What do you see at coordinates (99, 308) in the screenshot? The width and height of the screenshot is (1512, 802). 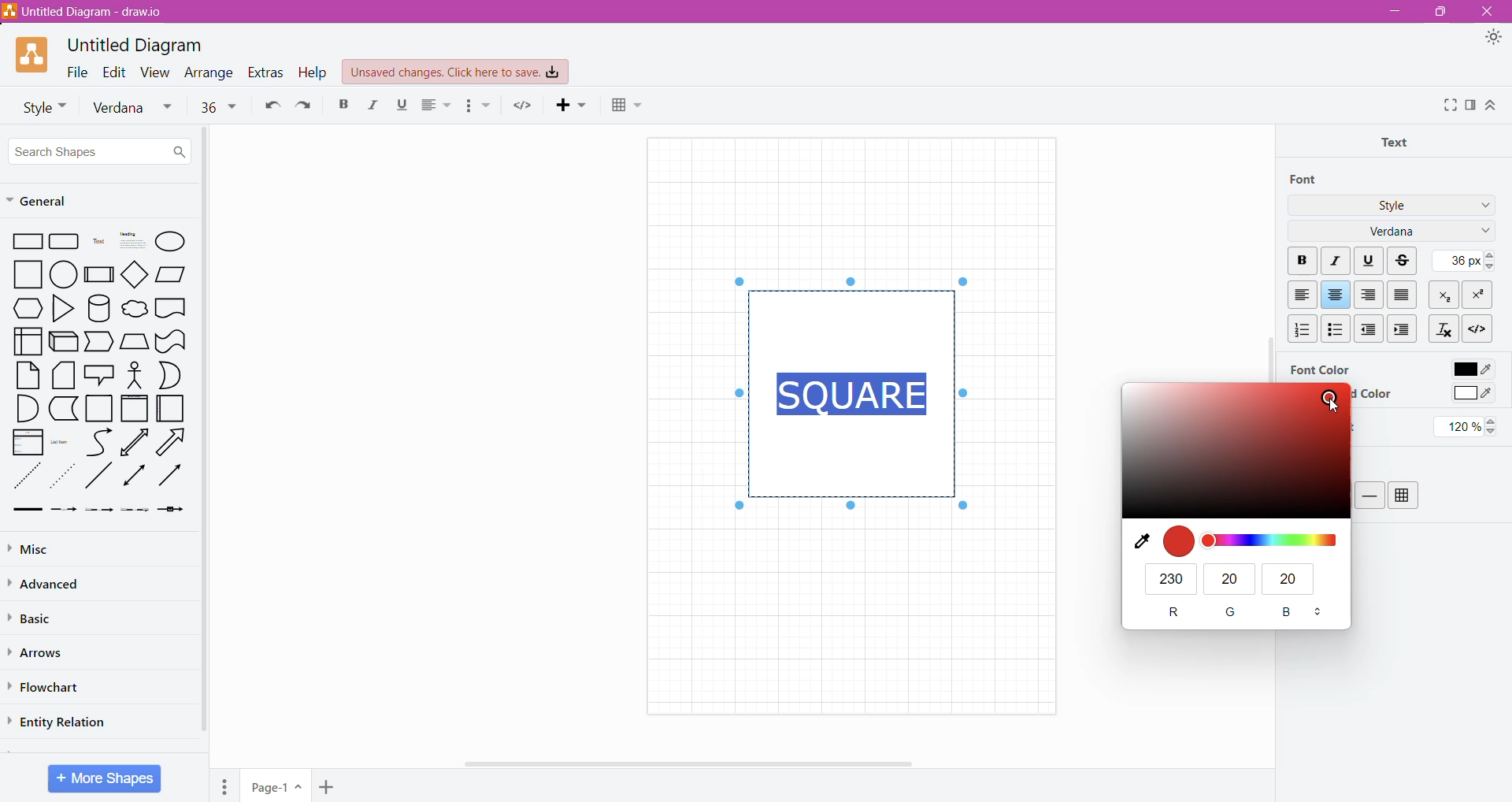 I see `Cylinder ` at bounding box center [99, 308].